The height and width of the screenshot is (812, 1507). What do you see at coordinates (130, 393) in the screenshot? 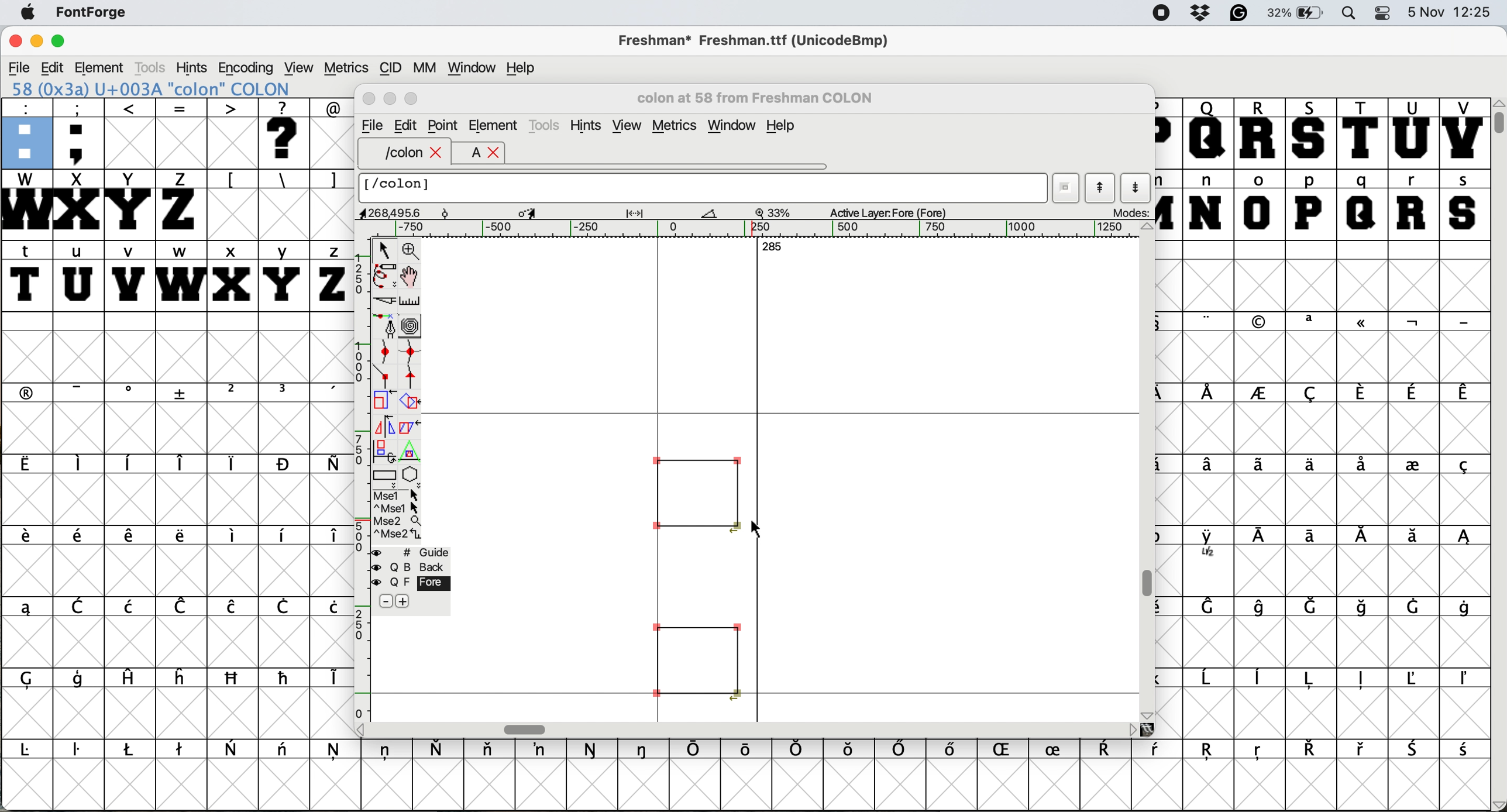
I see `symbol` at bounding box center [130, 393].